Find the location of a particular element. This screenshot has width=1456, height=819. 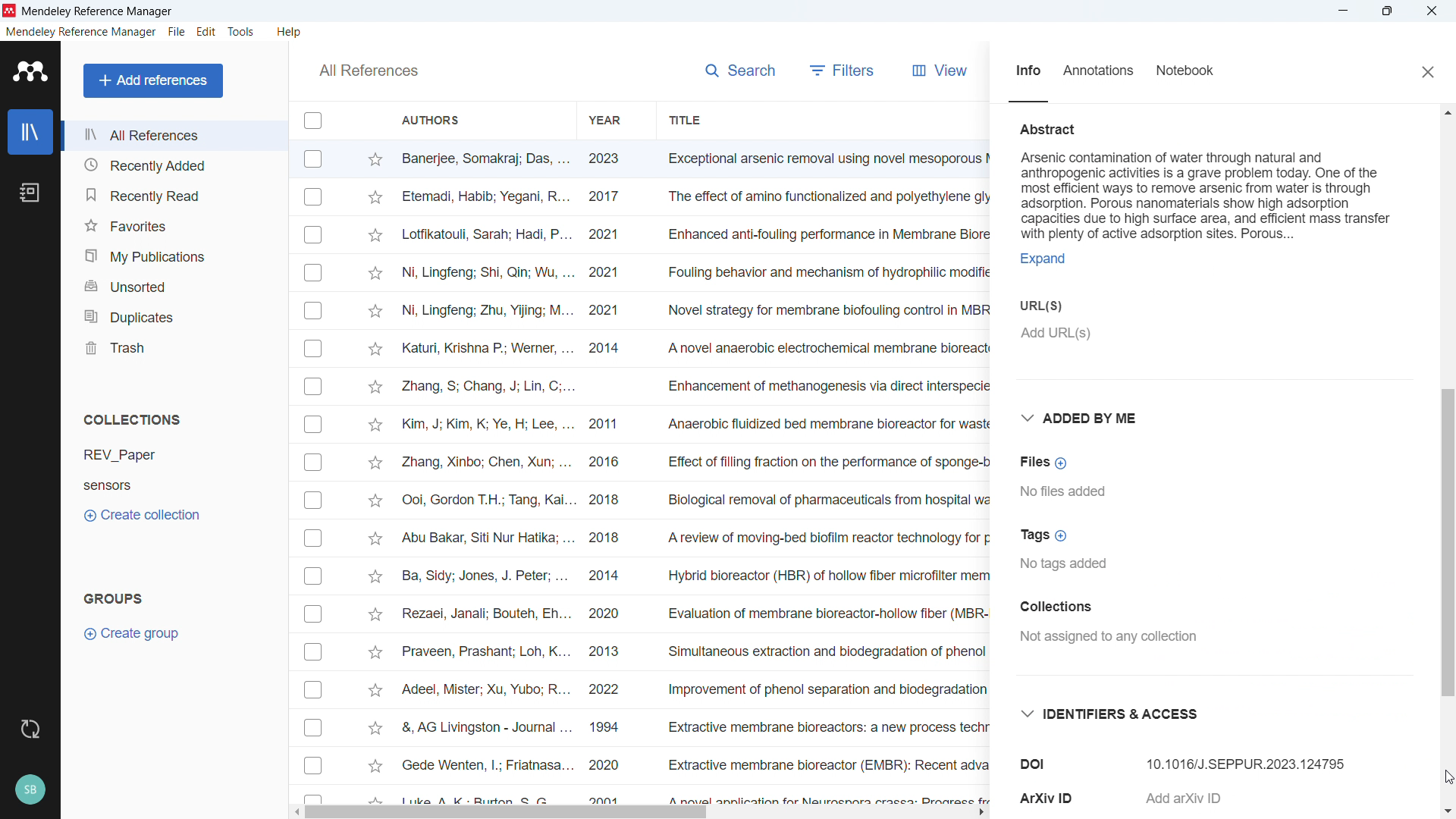

rev_paper is located at coordinates (131, 454).